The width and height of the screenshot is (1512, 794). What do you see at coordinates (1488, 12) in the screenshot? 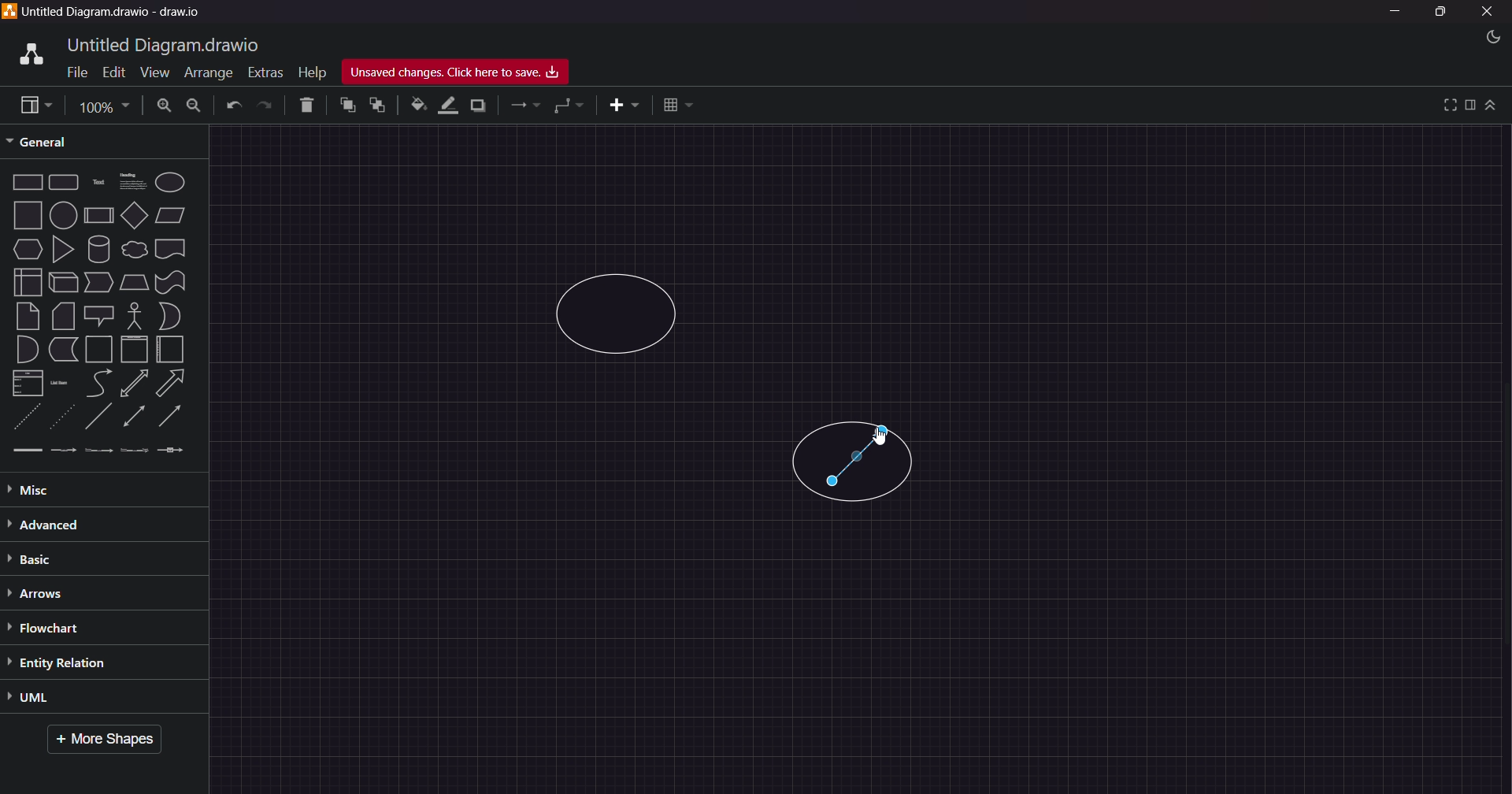
I see `Close` at bounding box center [1488, 12].